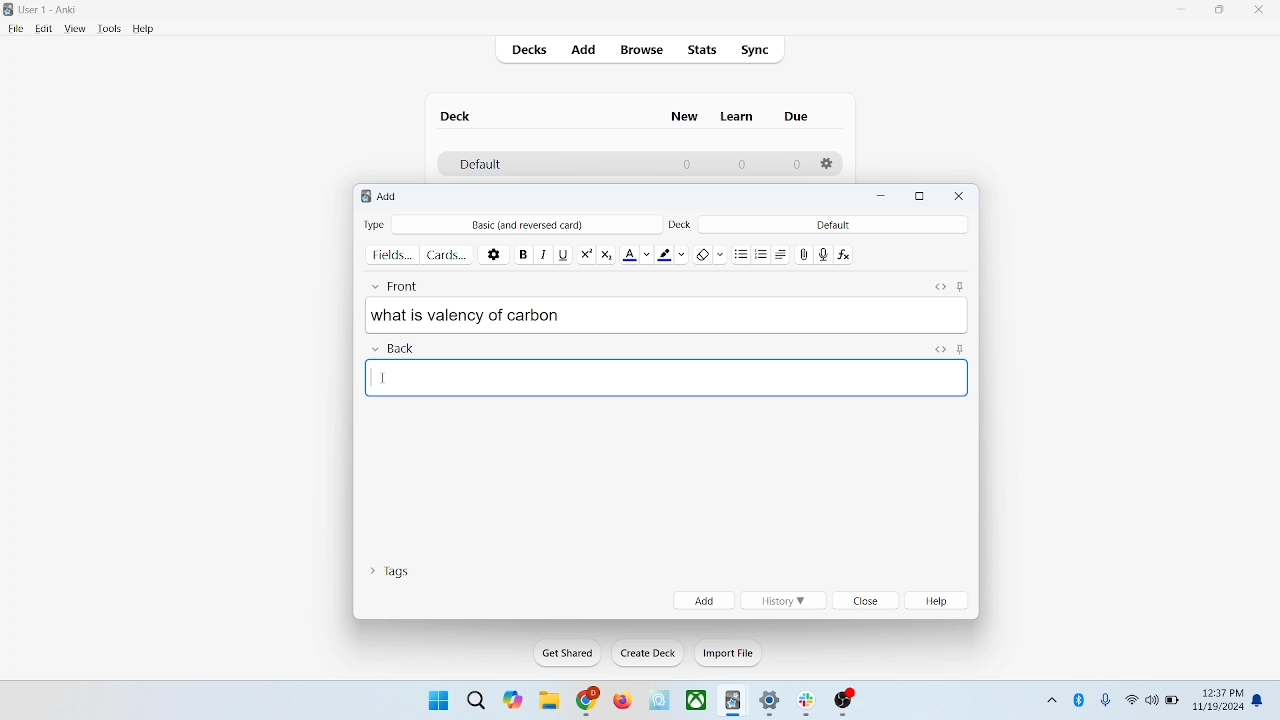 The height and width of the screenshot is (720, 1280). What do you see at coordinates (522, 252) in the screenshot?
I see `bold` at bounding box center [522, 252].